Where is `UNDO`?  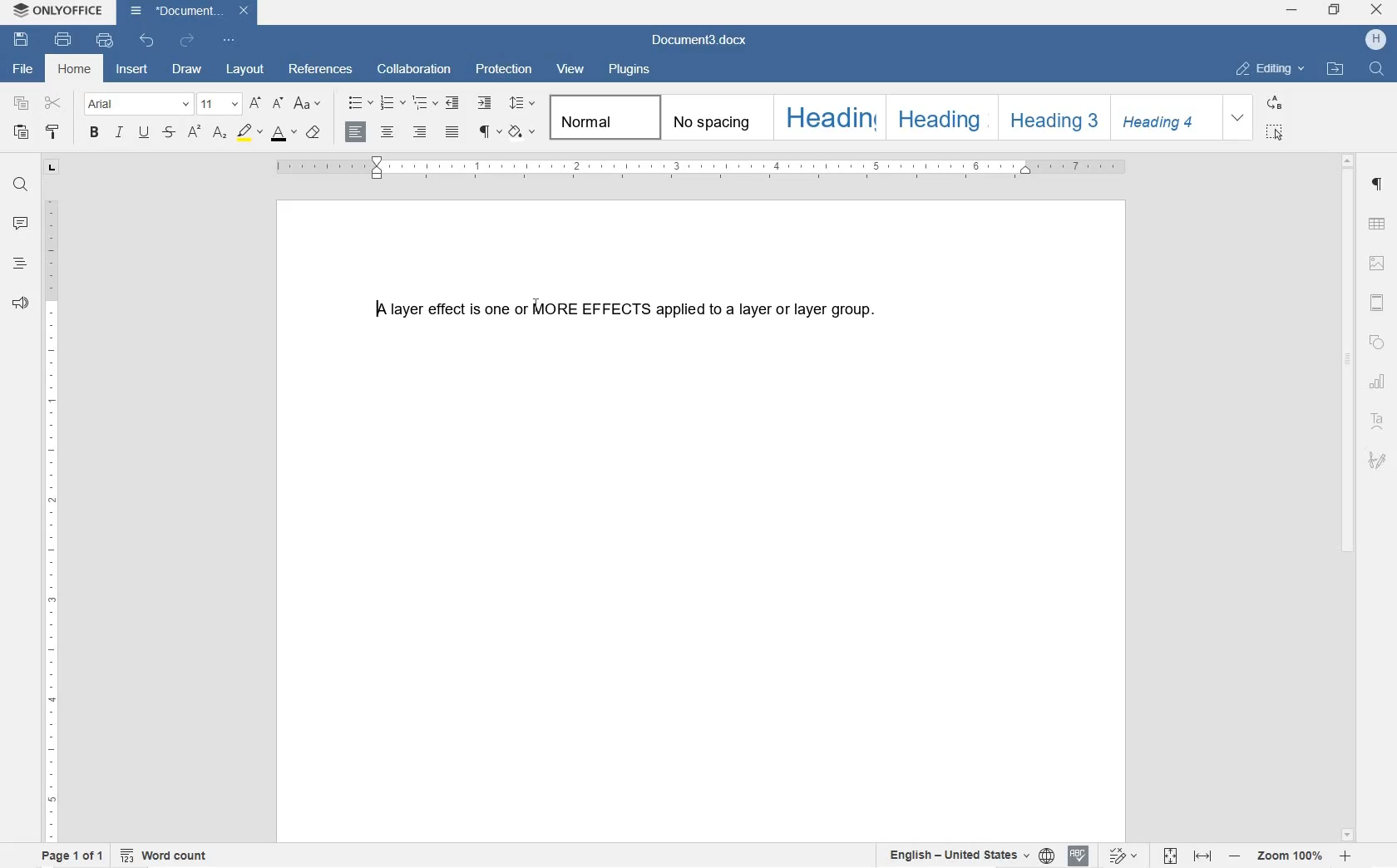
UNDO is located at coordinates (147, 42).